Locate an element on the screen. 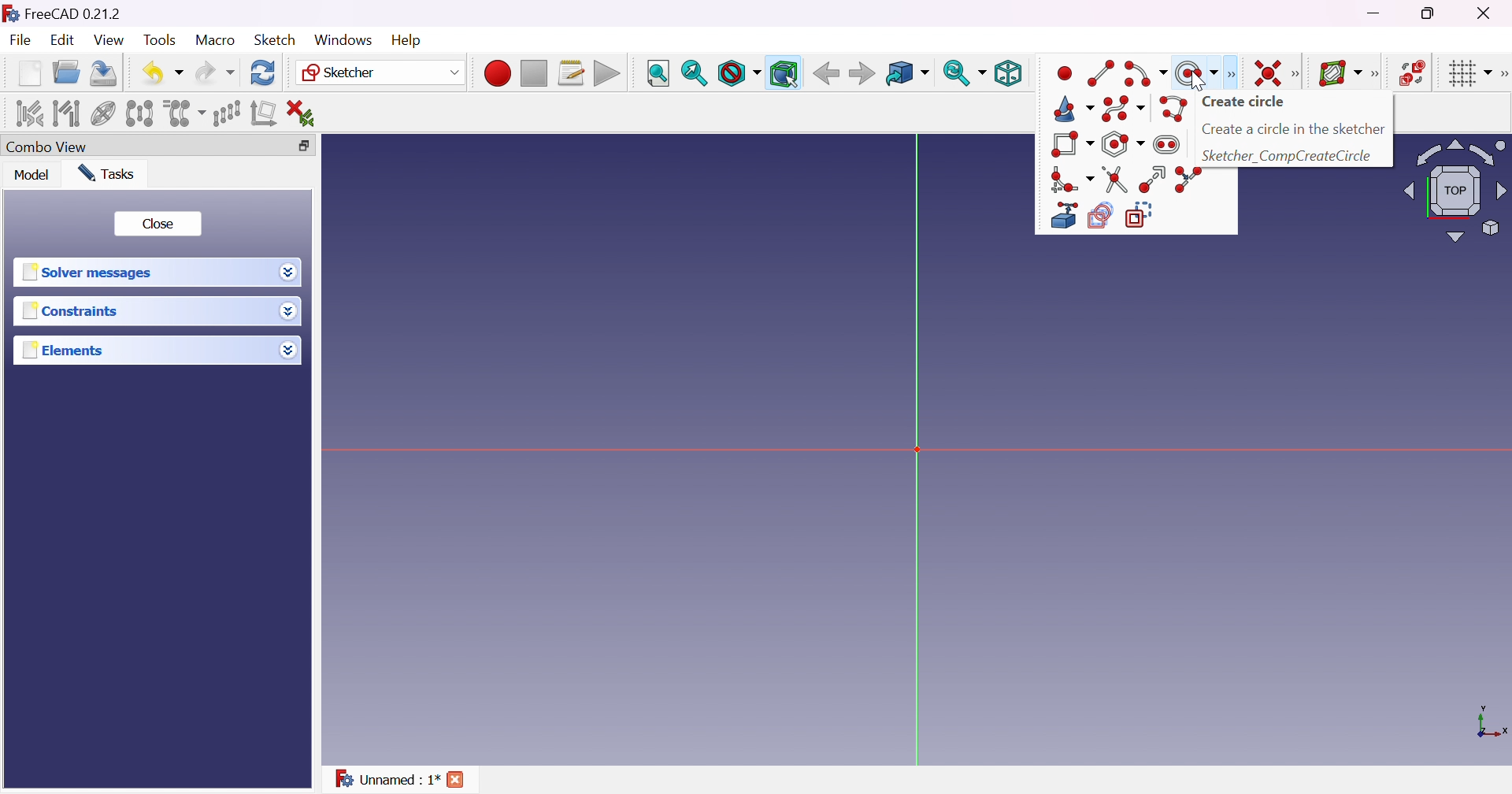 This screenshot has height=794, width=1512. File is located at coordinates (20, 40).